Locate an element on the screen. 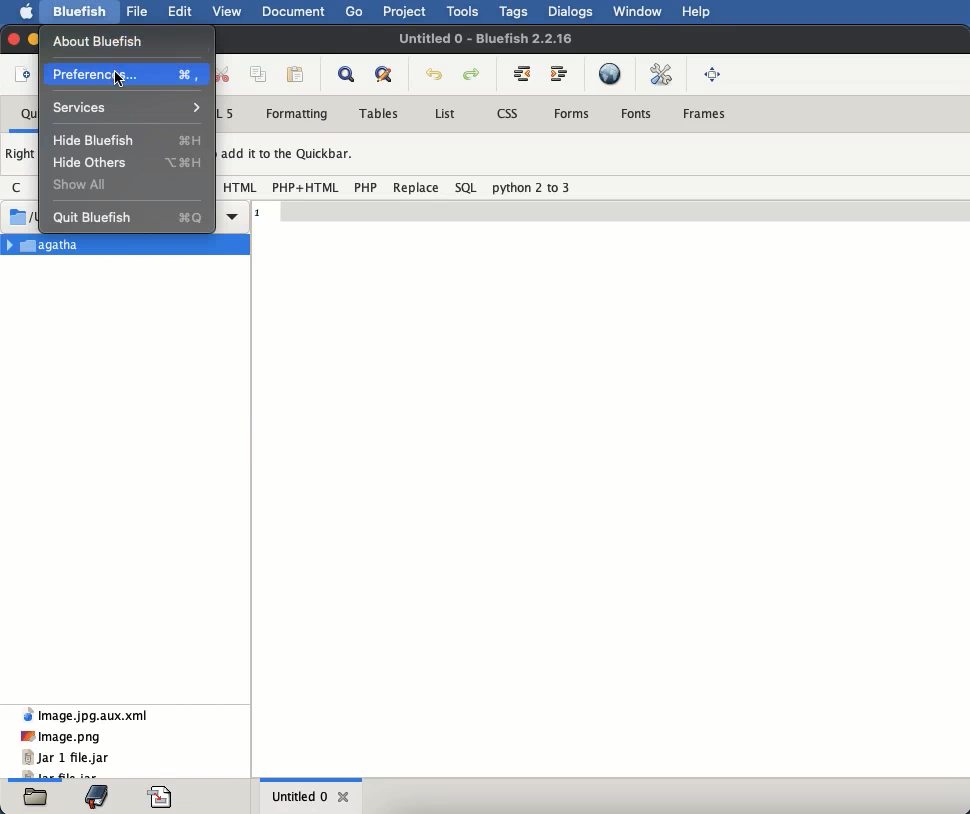 The height and width of the screenshot is (814, 970). indent is located at coordinates (563, 73).